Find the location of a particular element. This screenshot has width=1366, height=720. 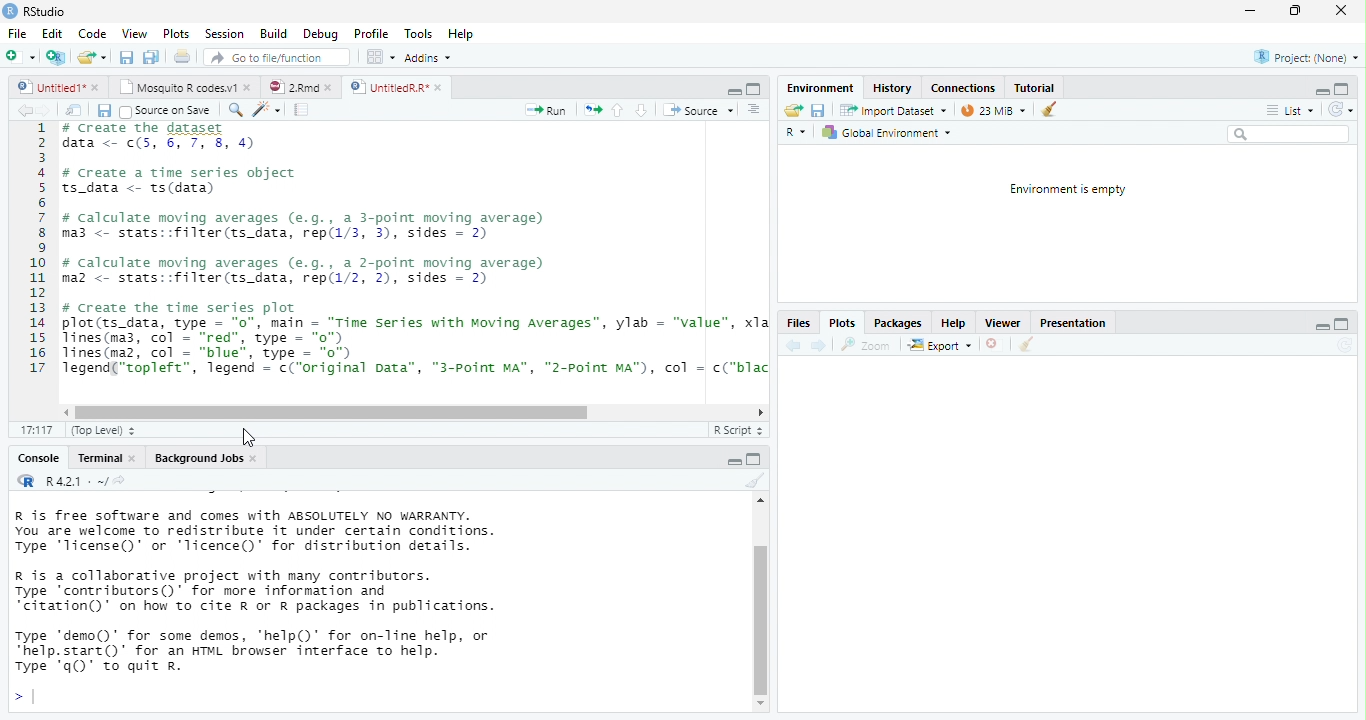

view the current working directory is located at coordinates (120, 480).